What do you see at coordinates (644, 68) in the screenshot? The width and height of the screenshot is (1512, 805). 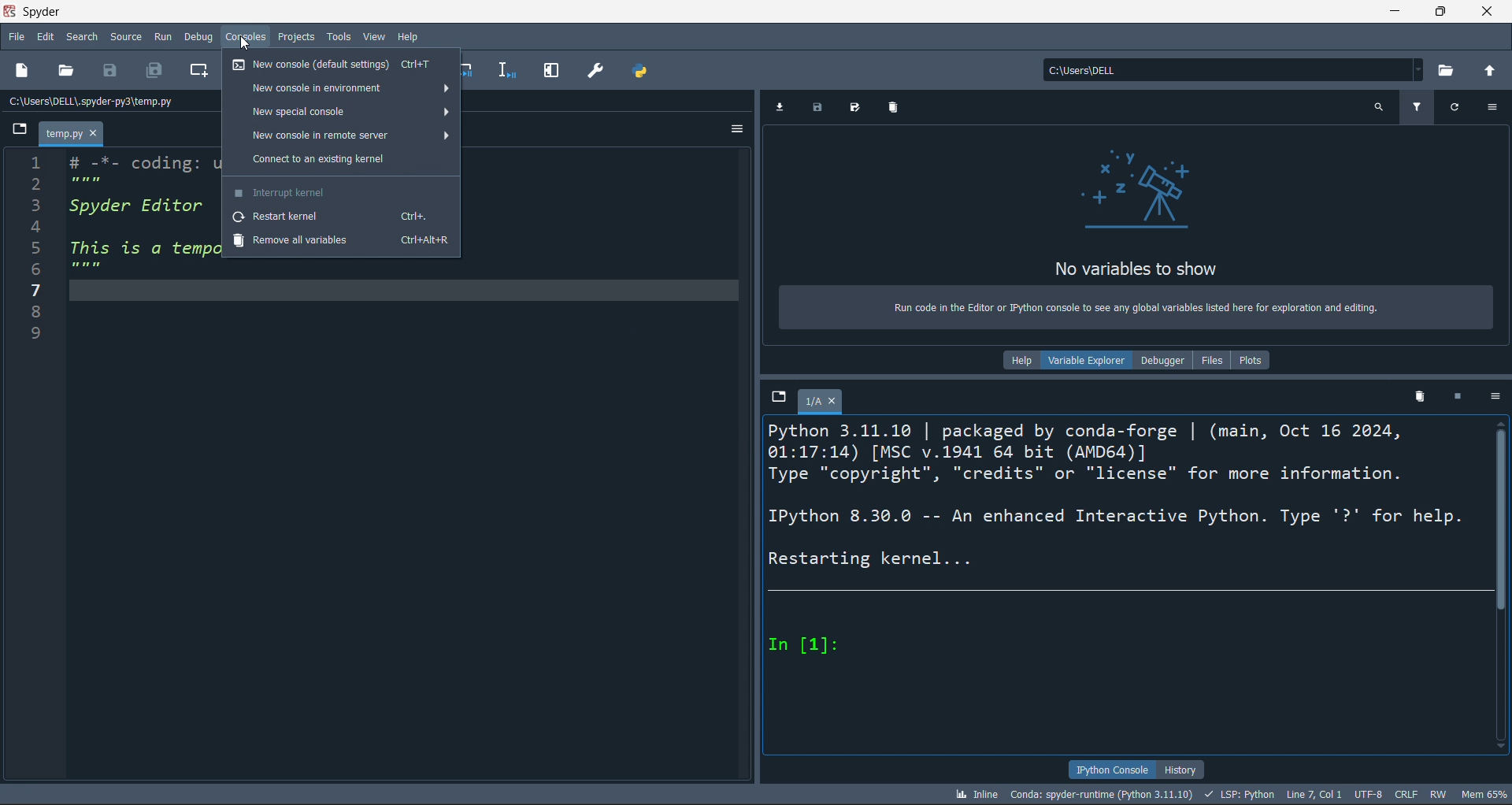 I see `path manager` at bounding box center [644, 68].